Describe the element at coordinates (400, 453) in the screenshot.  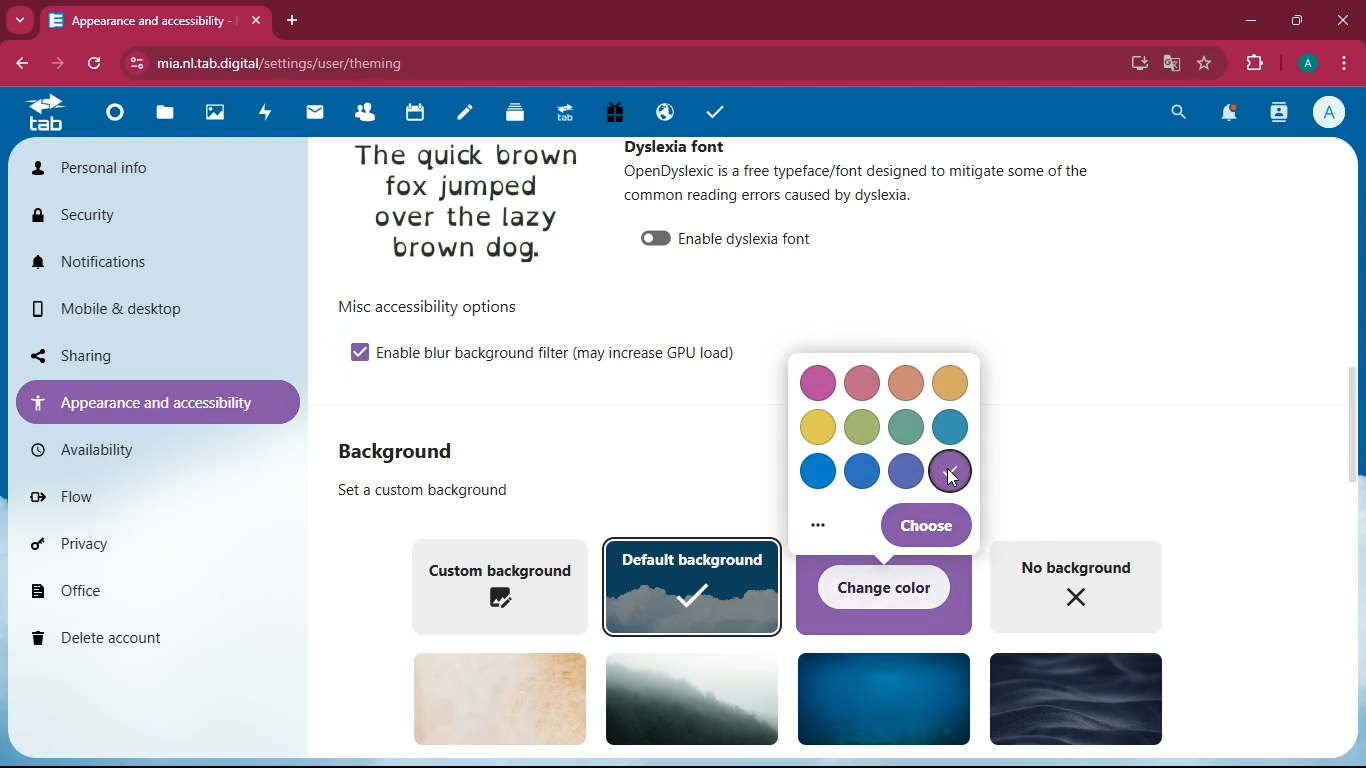
I see `background` at that location.